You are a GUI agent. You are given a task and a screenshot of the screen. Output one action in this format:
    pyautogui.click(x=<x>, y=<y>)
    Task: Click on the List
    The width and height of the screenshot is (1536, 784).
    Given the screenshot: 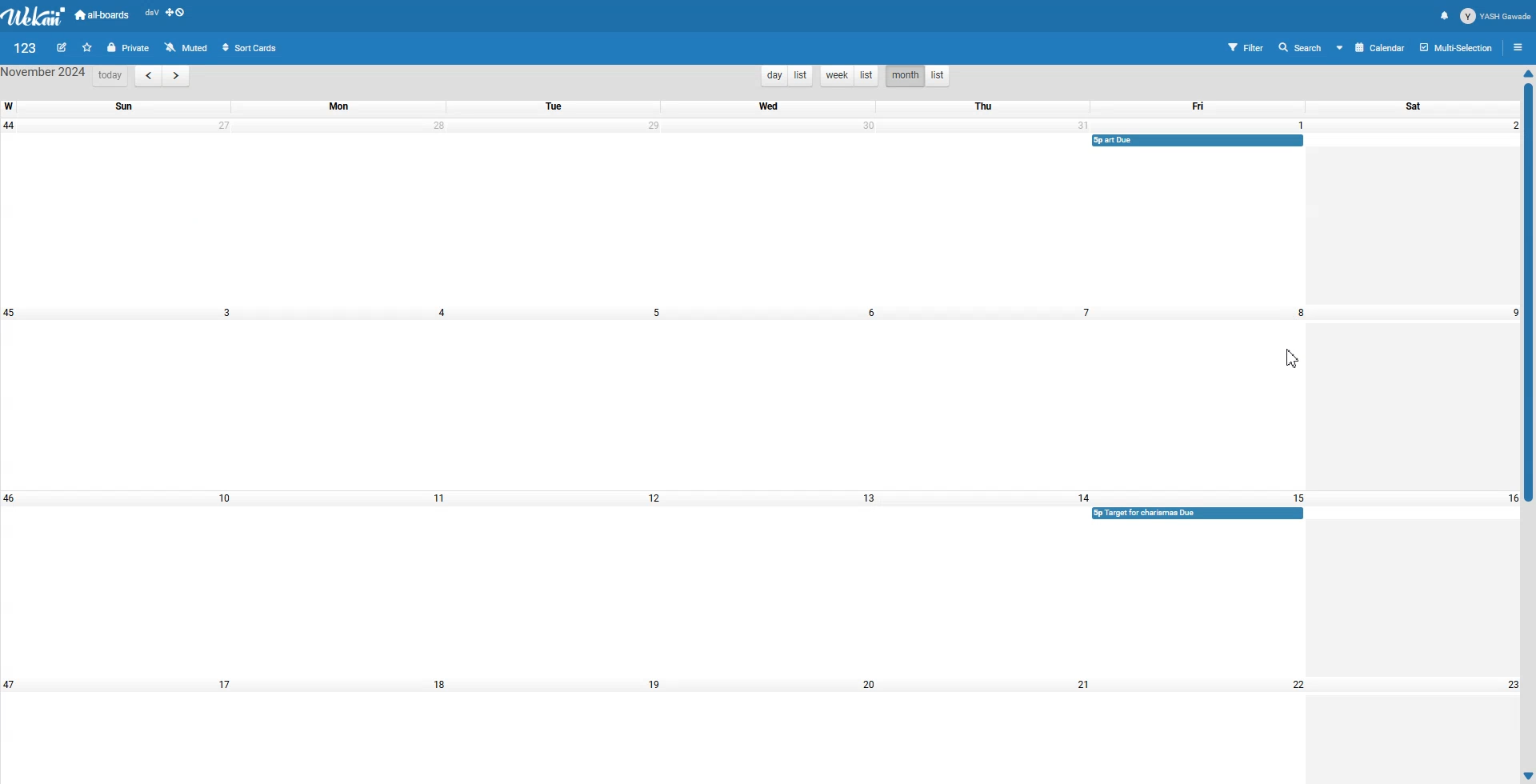 What is the action you would take?
    pyautogui.click(x=800, y=75)
    